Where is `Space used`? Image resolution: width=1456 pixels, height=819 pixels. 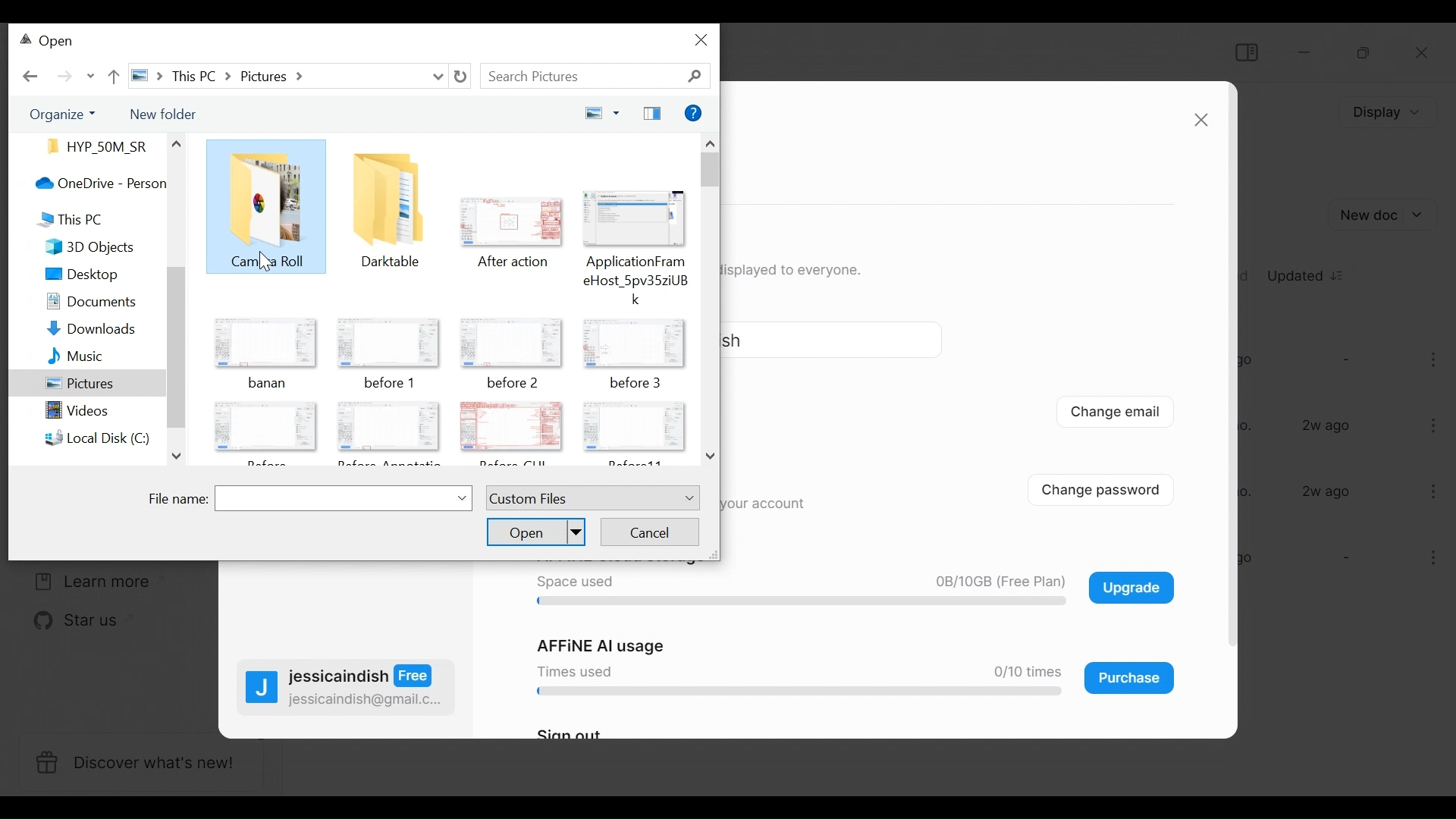 Space used is located at coordinates (573, 582).